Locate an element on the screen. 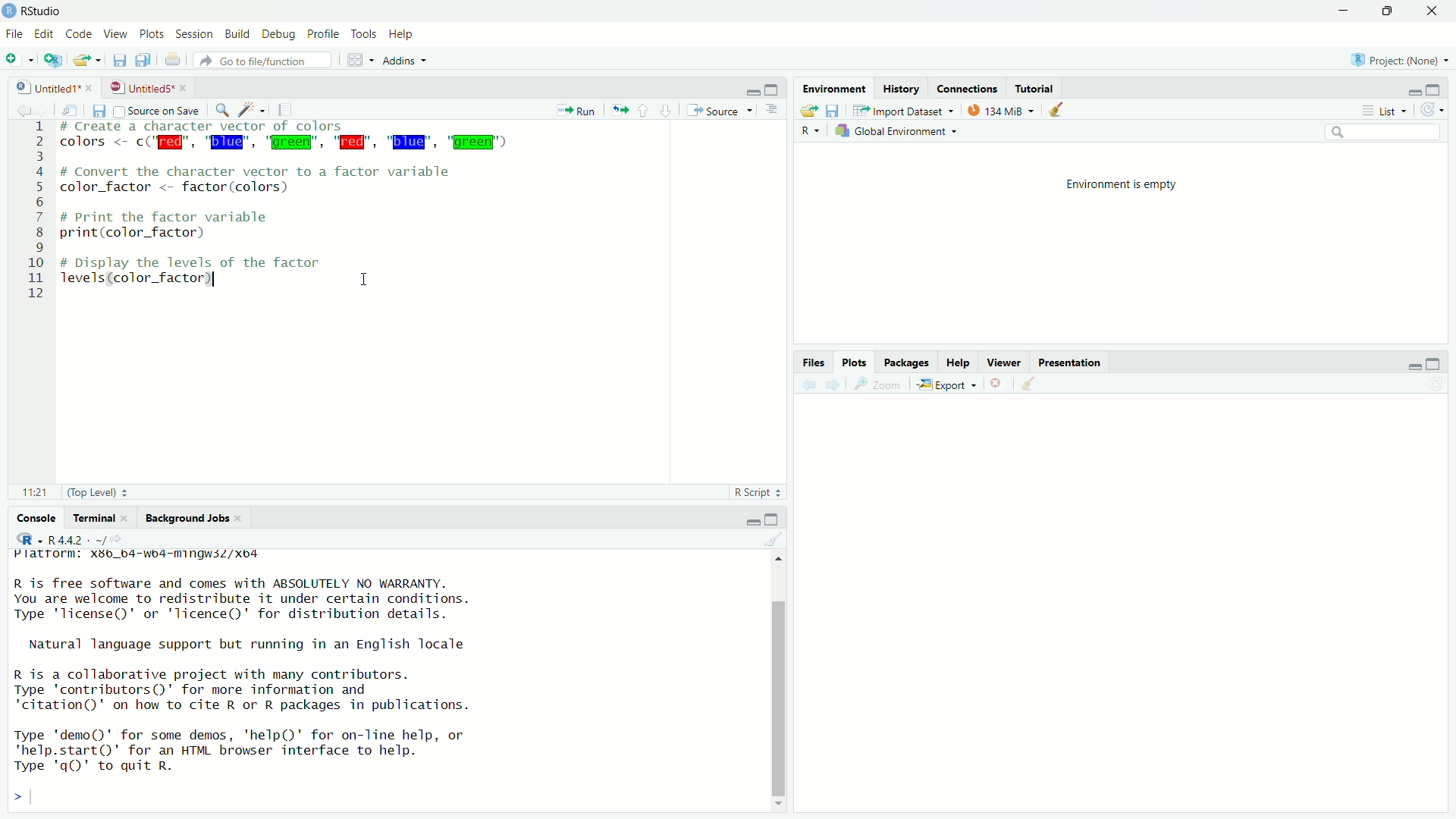 The image size is (1456, 819). save current document is located at coordinates (99, 111).